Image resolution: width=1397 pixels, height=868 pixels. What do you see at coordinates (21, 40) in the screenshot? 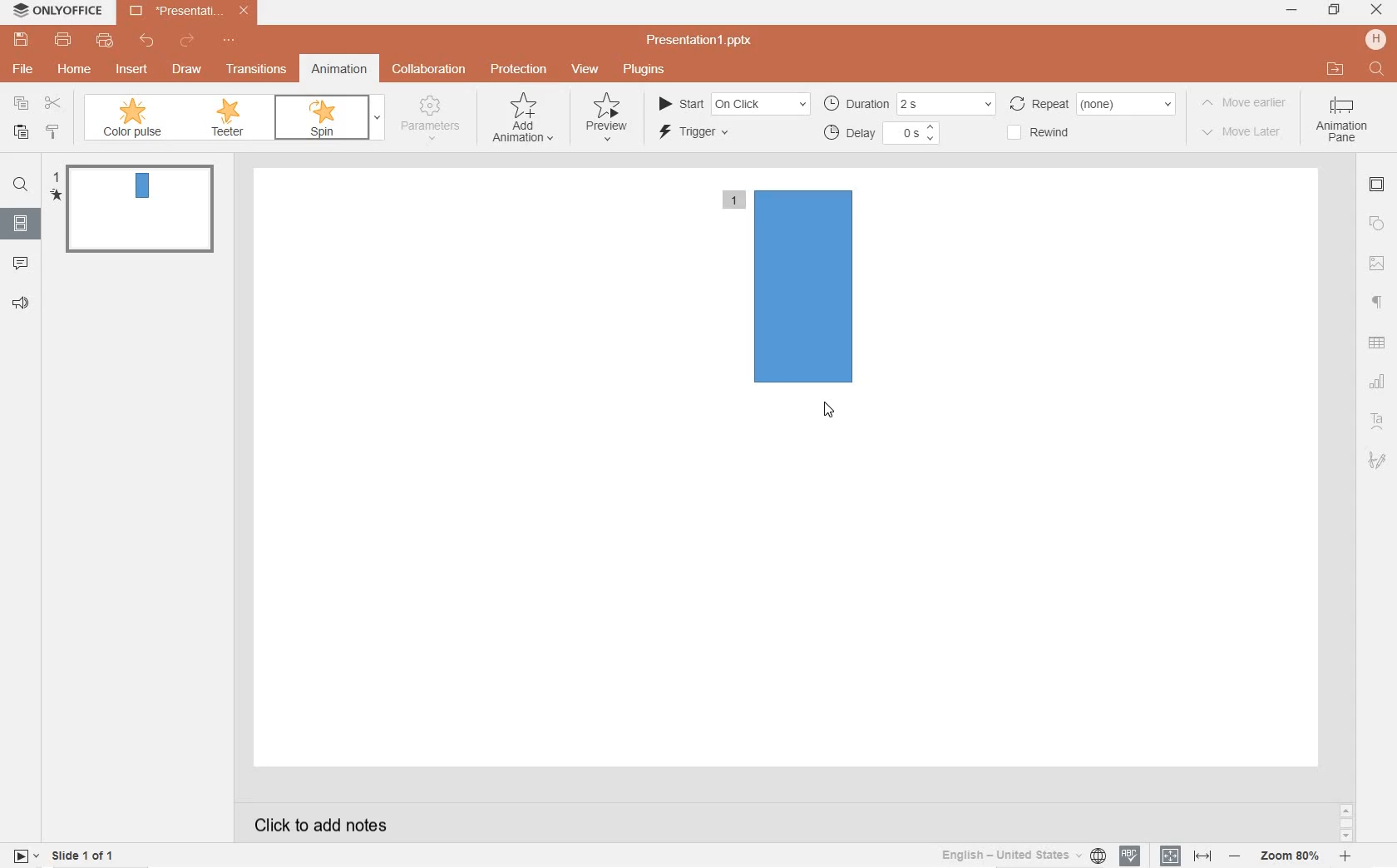
I see `save` at bounding box center [21, 40].